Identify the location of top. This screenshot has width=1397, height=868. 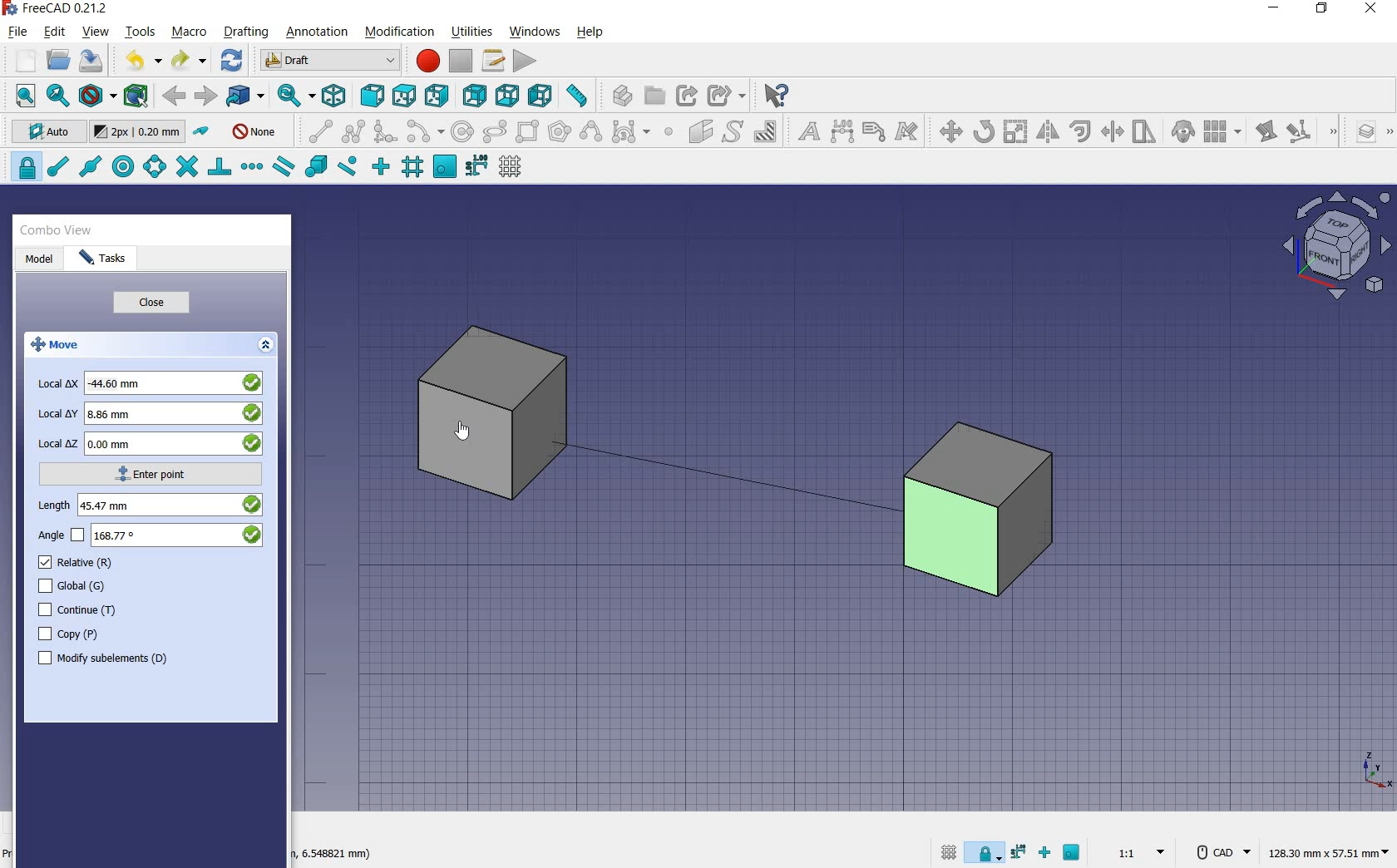
(407, 95).